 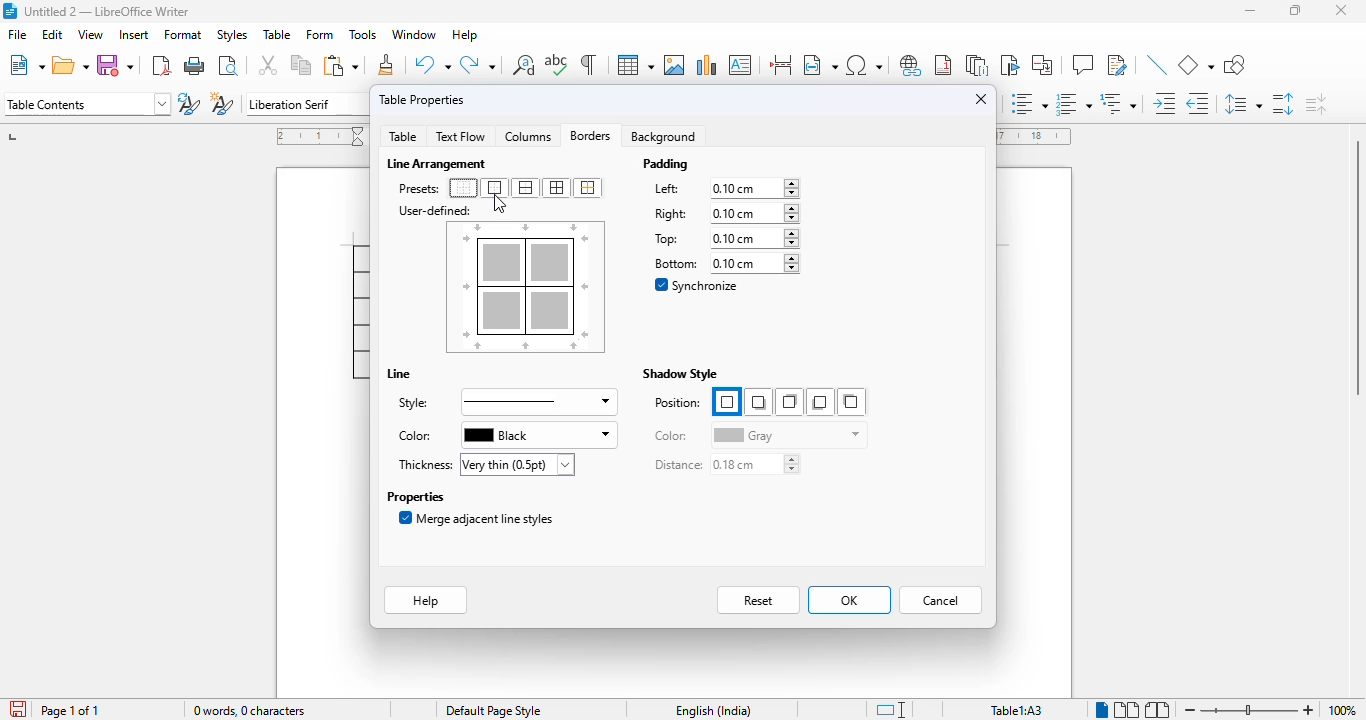 I want to click on print, so click(x=196, y=66).